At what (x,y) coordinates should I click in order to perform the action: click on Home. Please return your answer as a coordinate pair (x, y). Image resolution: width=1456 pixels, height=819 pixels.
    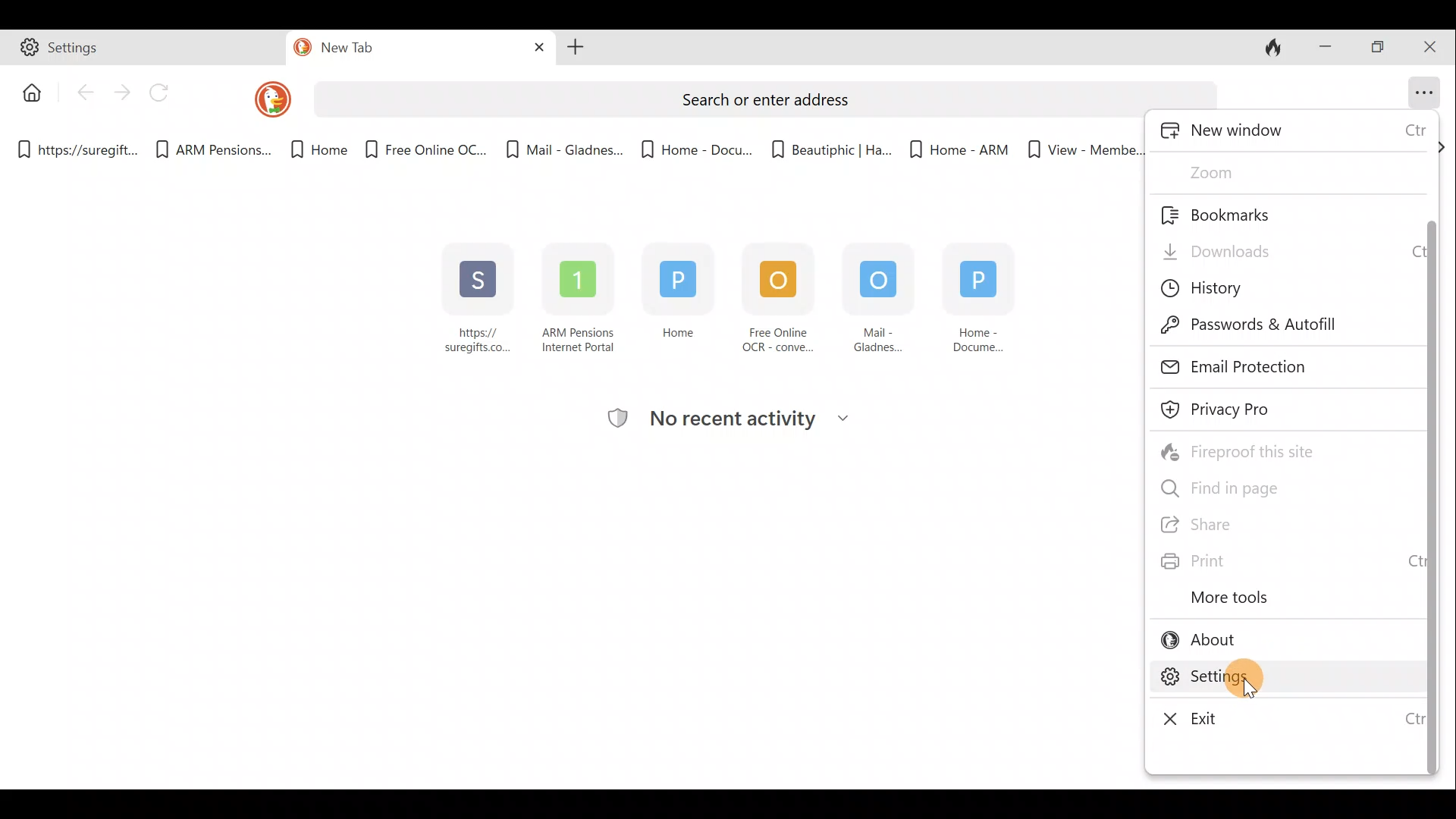
    Looking at the image, I should click on (676, 293).